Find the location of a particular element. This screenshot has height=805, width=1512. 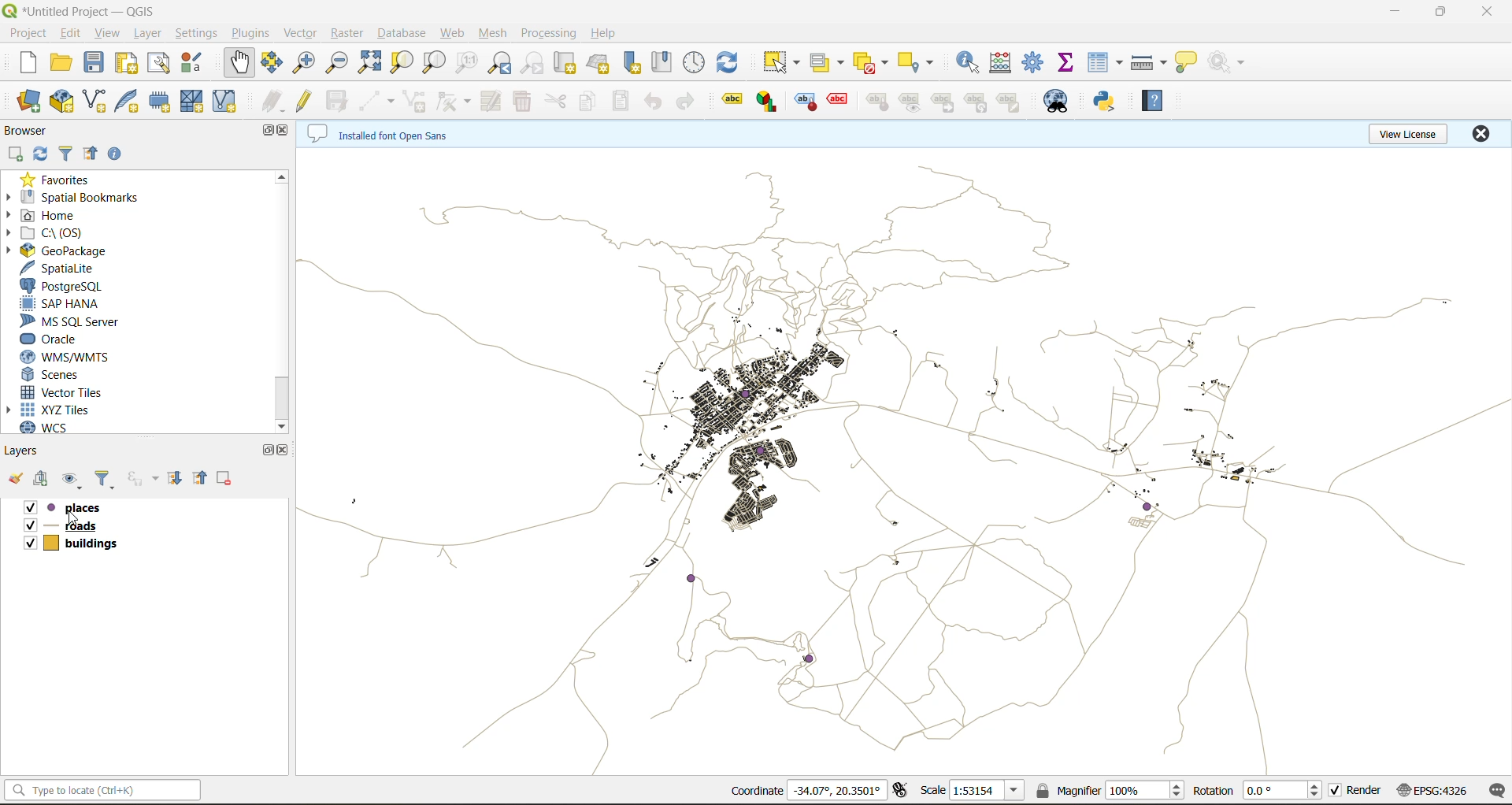

oracle is located at coordinates (61, 339).